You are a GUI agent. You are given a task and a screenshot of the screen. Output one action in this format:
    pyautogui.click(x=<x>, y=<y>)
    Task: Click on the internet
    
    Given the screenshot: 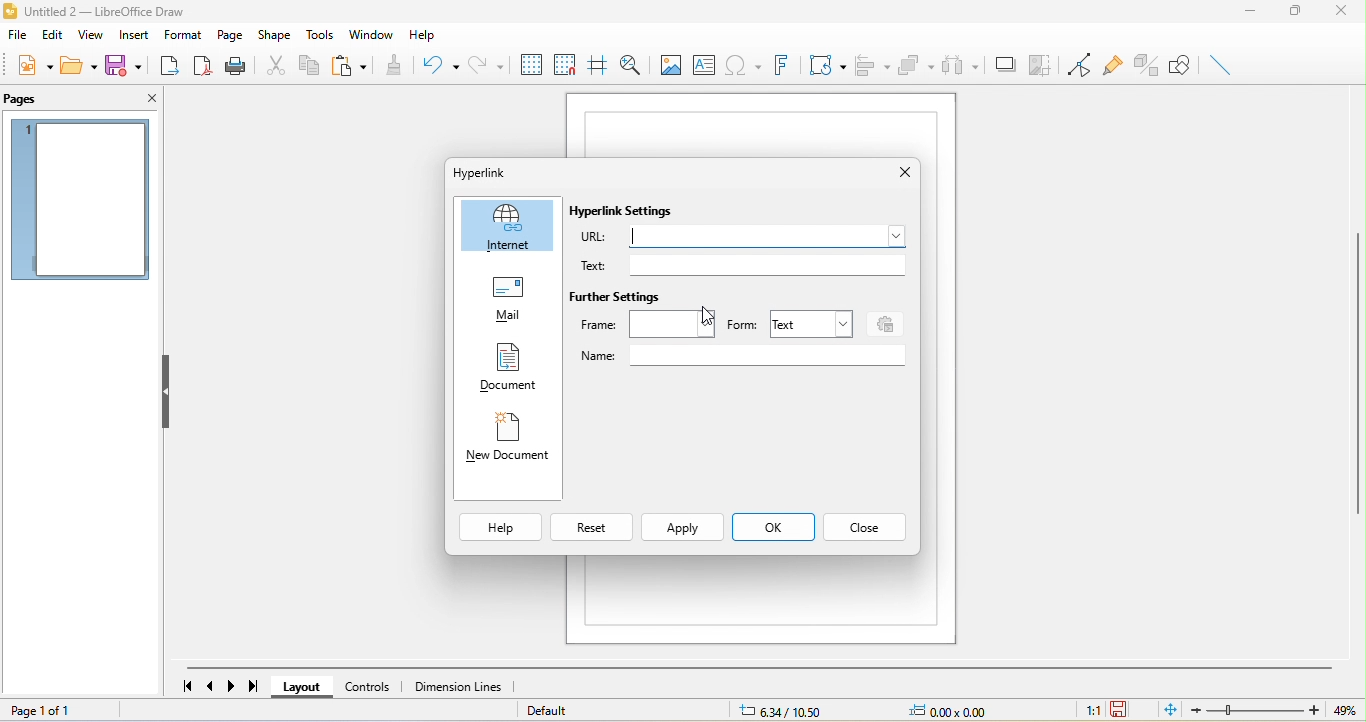 What is the action you would take?
    pyautogui.click(x=505, y=226)
    